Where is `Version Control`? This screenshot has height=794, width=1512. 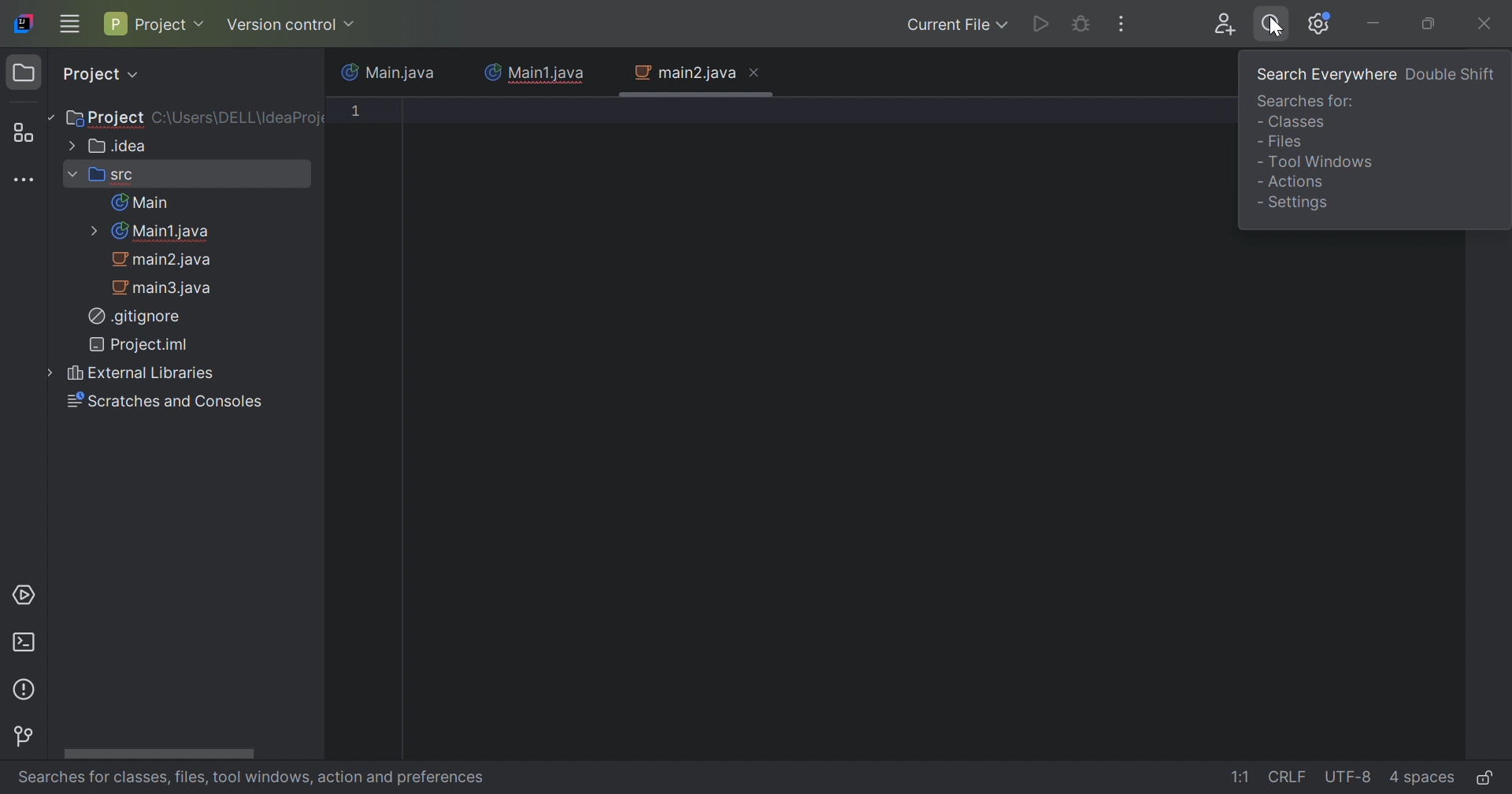 Version Control is located at coordinates (24, 737).